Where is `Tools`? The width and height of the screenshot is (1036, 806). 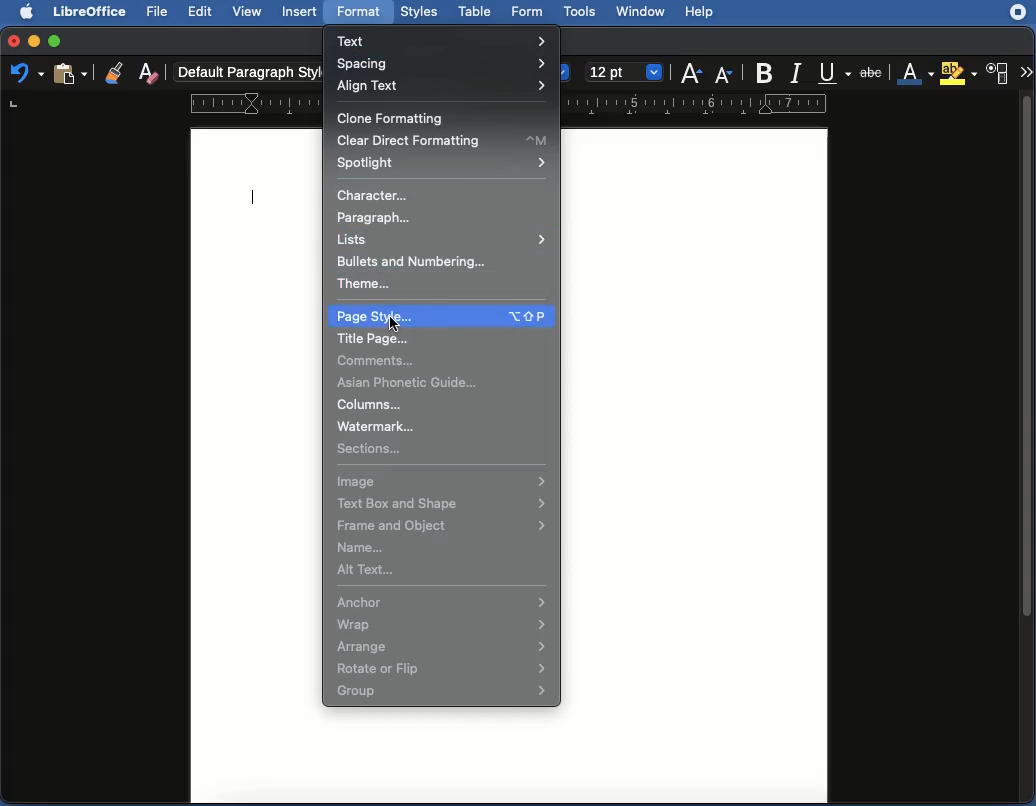 Tools is located at coordinates (582, 11).